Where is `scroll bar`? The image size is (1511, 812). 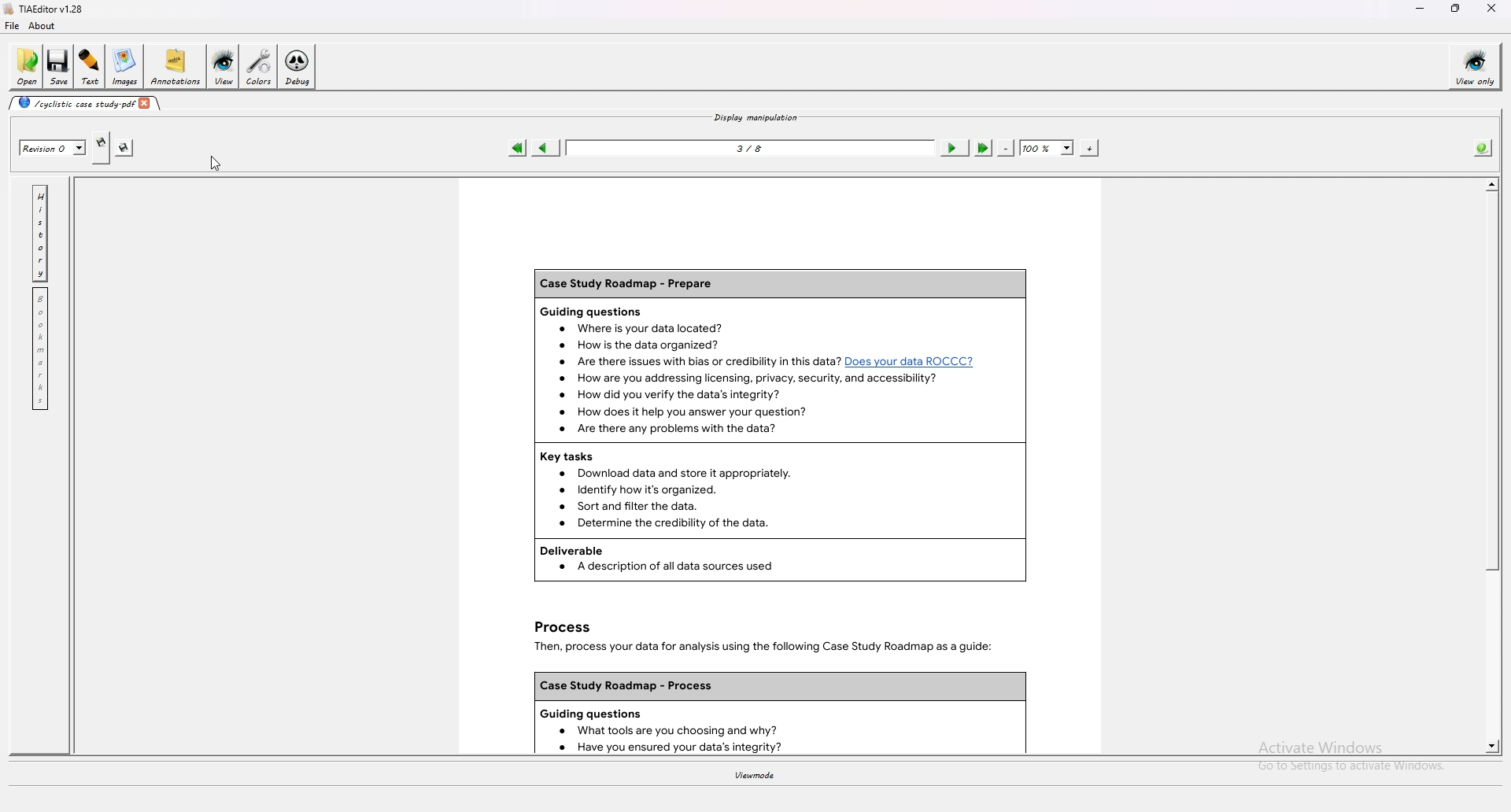
scroll bar is located at coordinates (1491, 382).